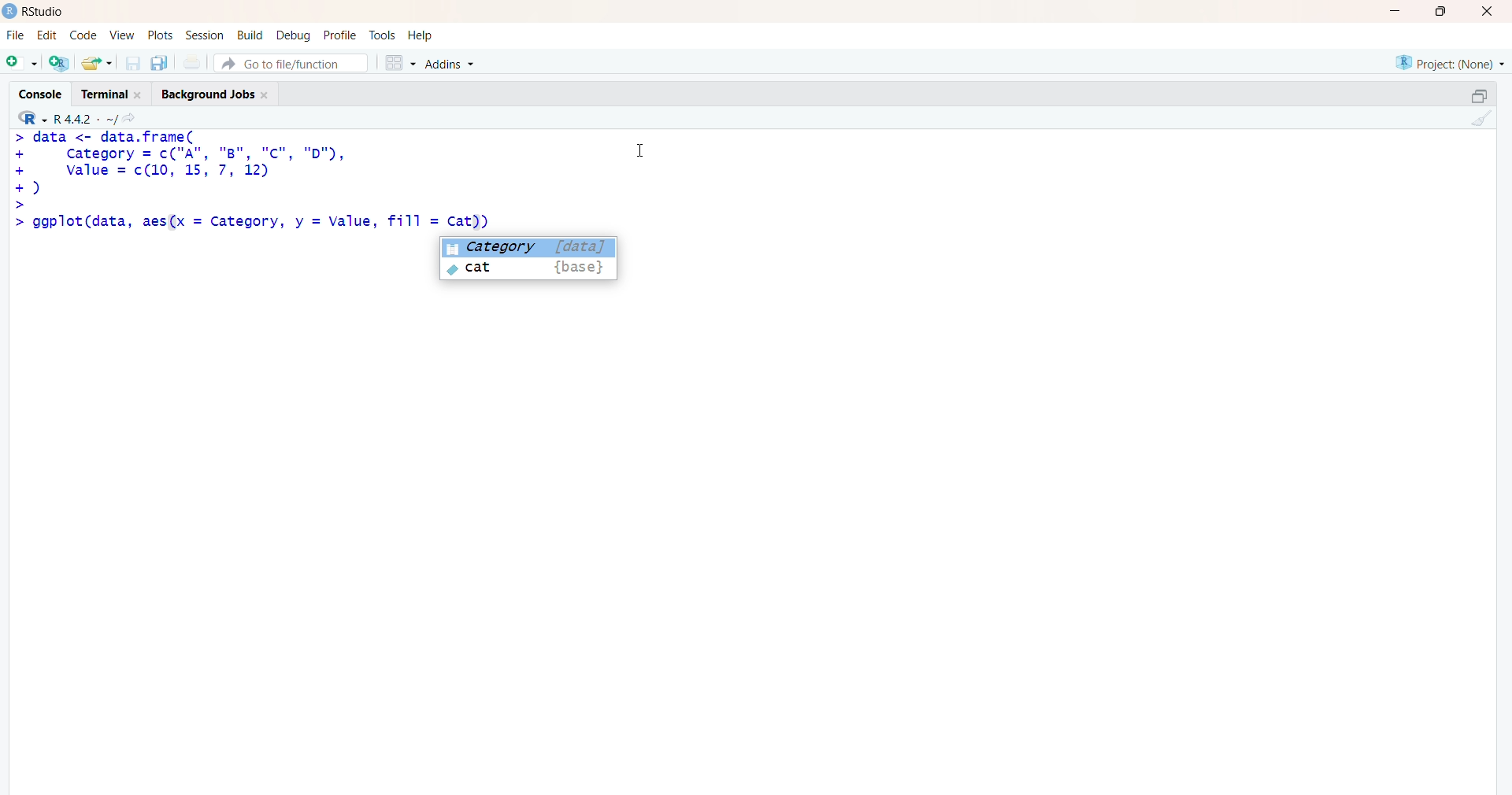 This screenshot has width=1512, height=795. What do you see at coordinates (522, 258) in the screenshot?
I see `suggested - Category [data]cat {base}` at bounding box center [522, 258].